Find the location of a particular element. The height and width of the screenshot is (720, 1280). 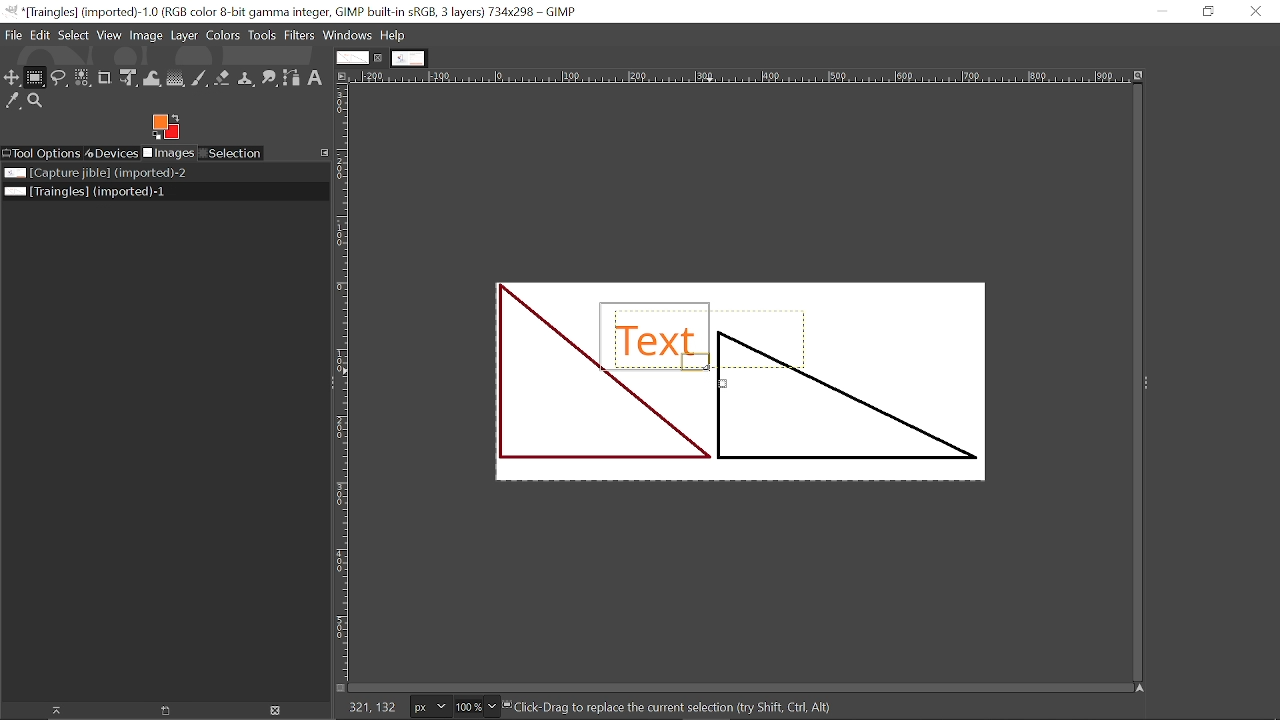

Minimize is located at coordinates (1157, 11).